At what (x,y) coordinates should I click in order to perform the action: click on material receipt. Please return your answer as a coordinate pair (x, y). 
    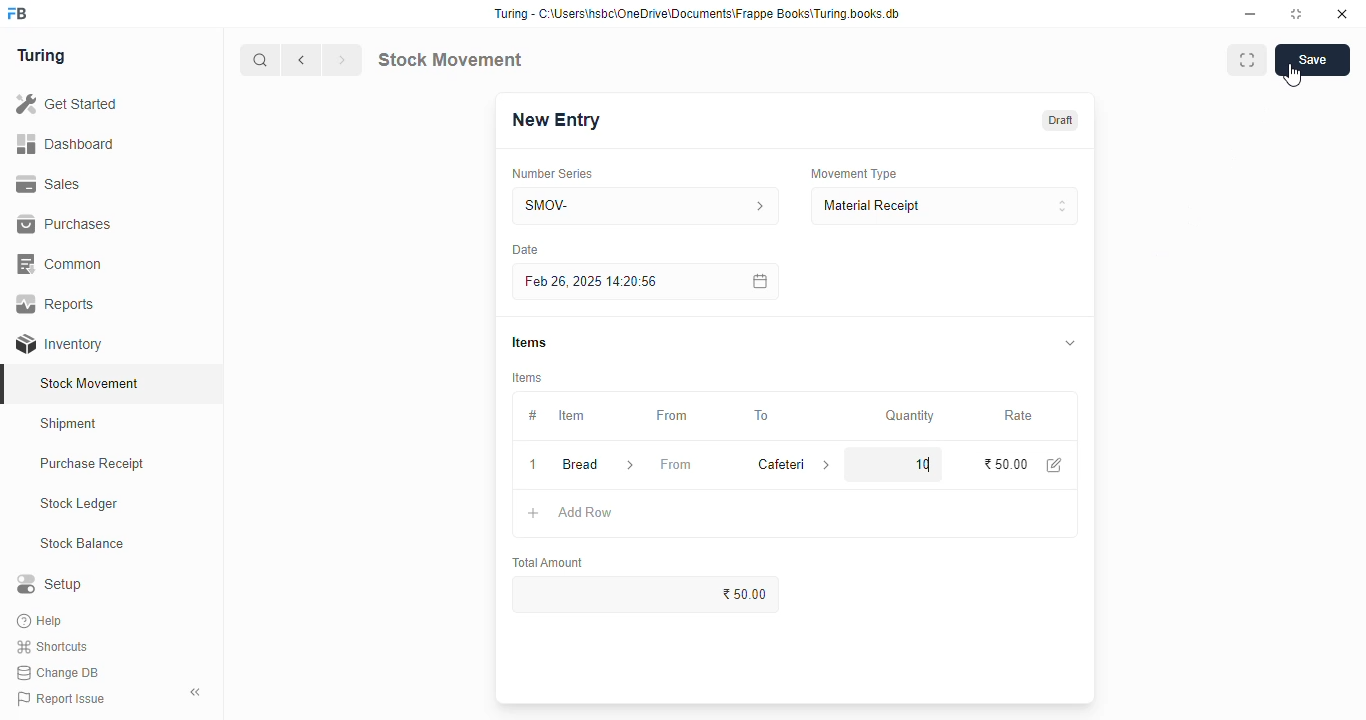
    Looking at the image, I should click on (944, 206).